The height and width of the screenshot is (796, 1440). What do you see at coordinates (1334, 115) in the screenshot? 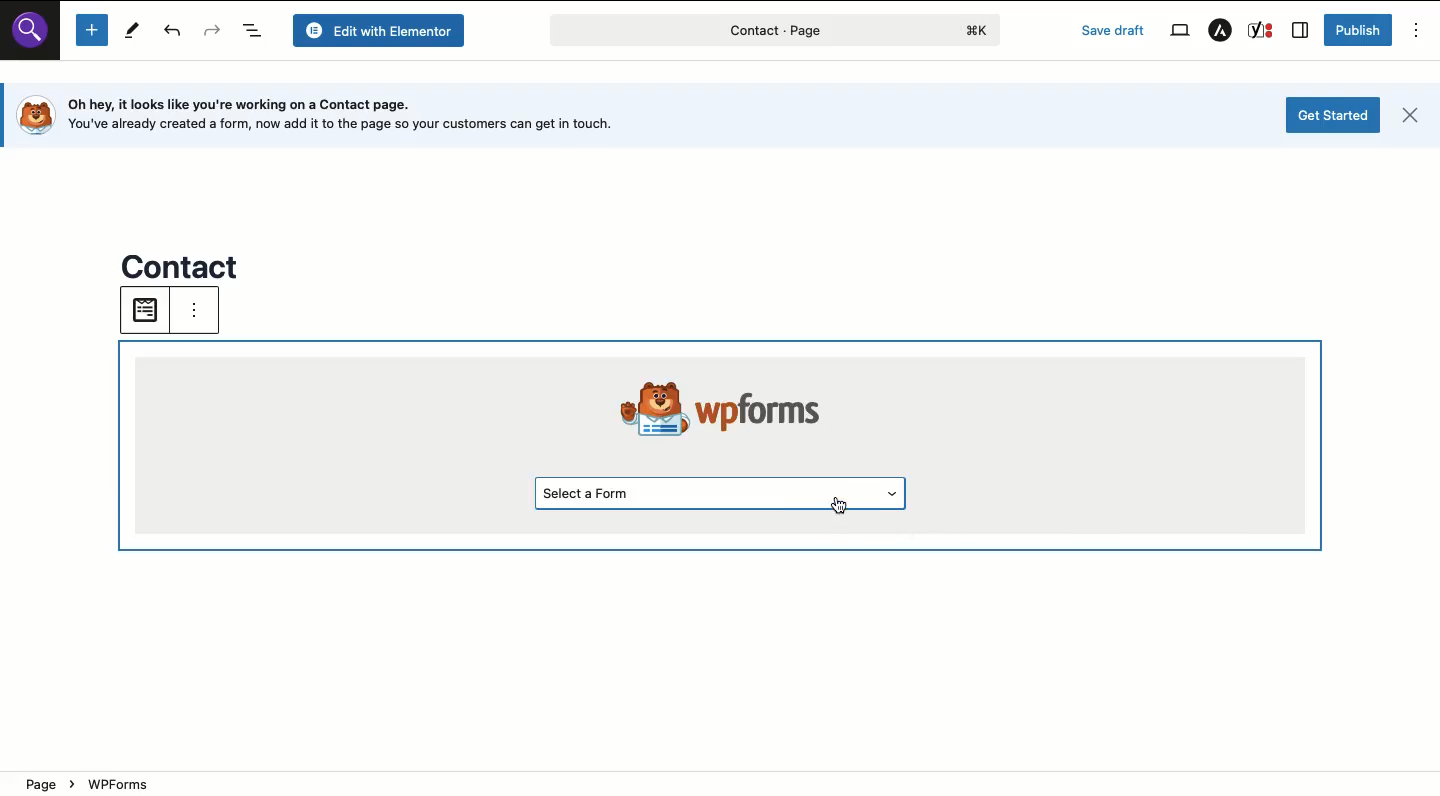
I see `Get started` at bounding box center [1334, 115].